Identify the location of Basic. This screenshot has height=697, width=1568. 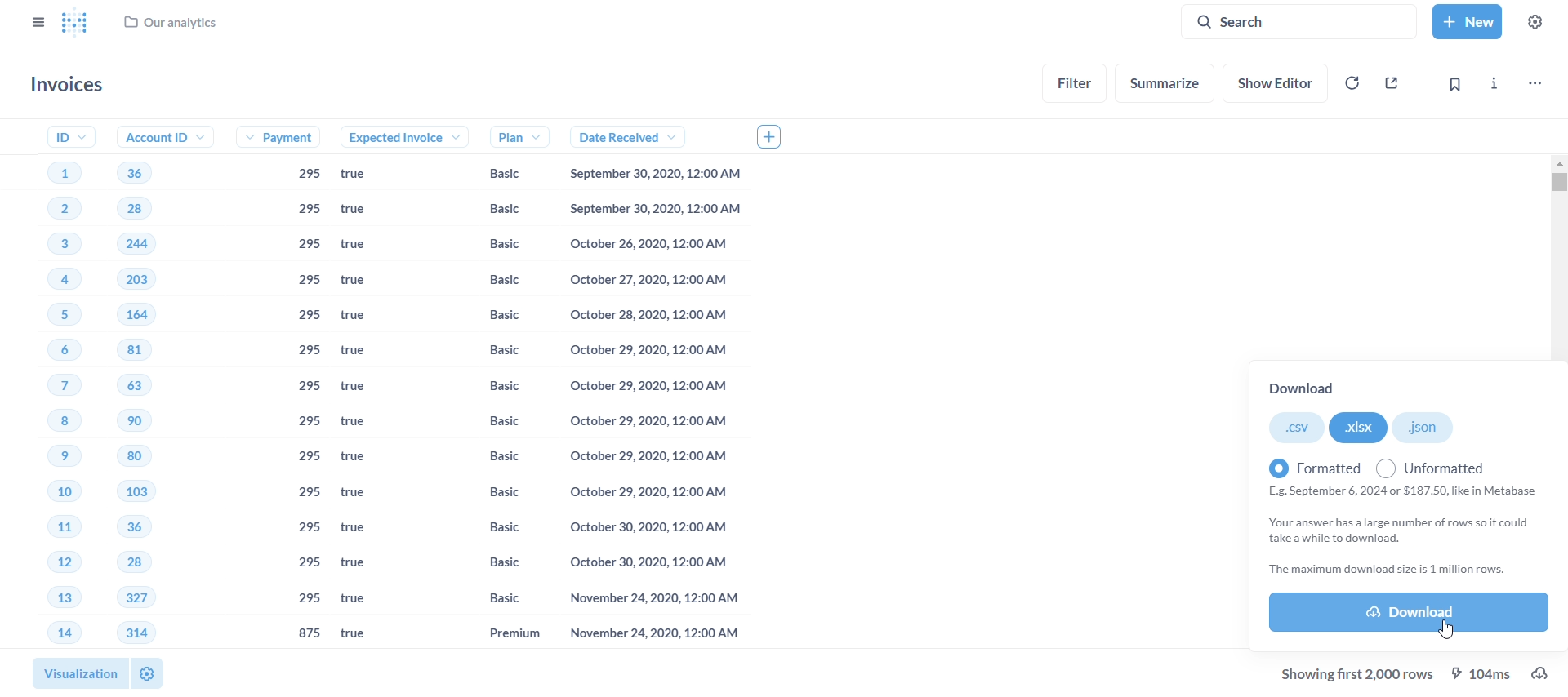
(492, 491).